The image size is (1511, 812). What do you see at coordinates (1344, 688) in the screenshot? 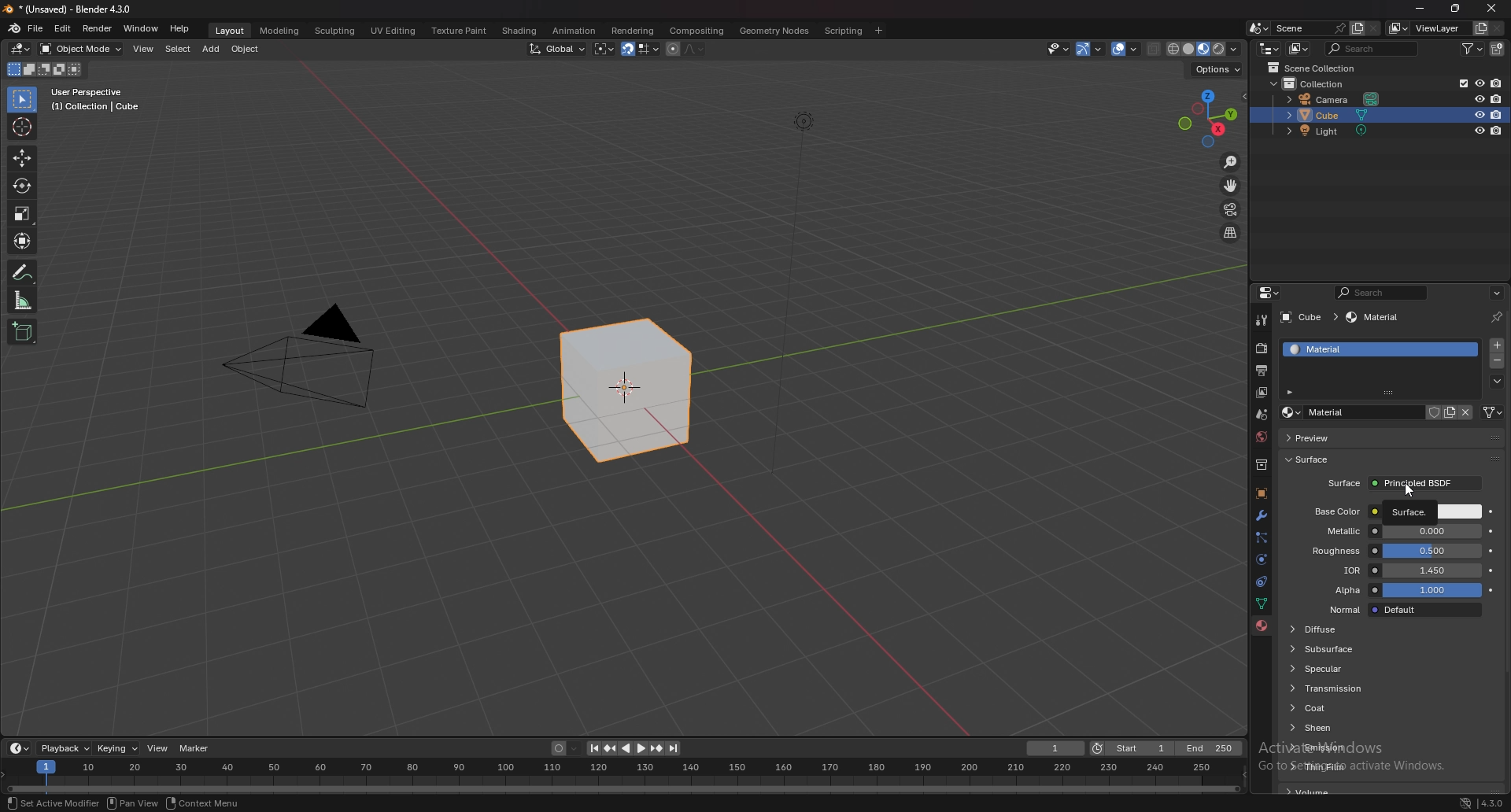
I see `transmission` at bounding box center [1344, 688].